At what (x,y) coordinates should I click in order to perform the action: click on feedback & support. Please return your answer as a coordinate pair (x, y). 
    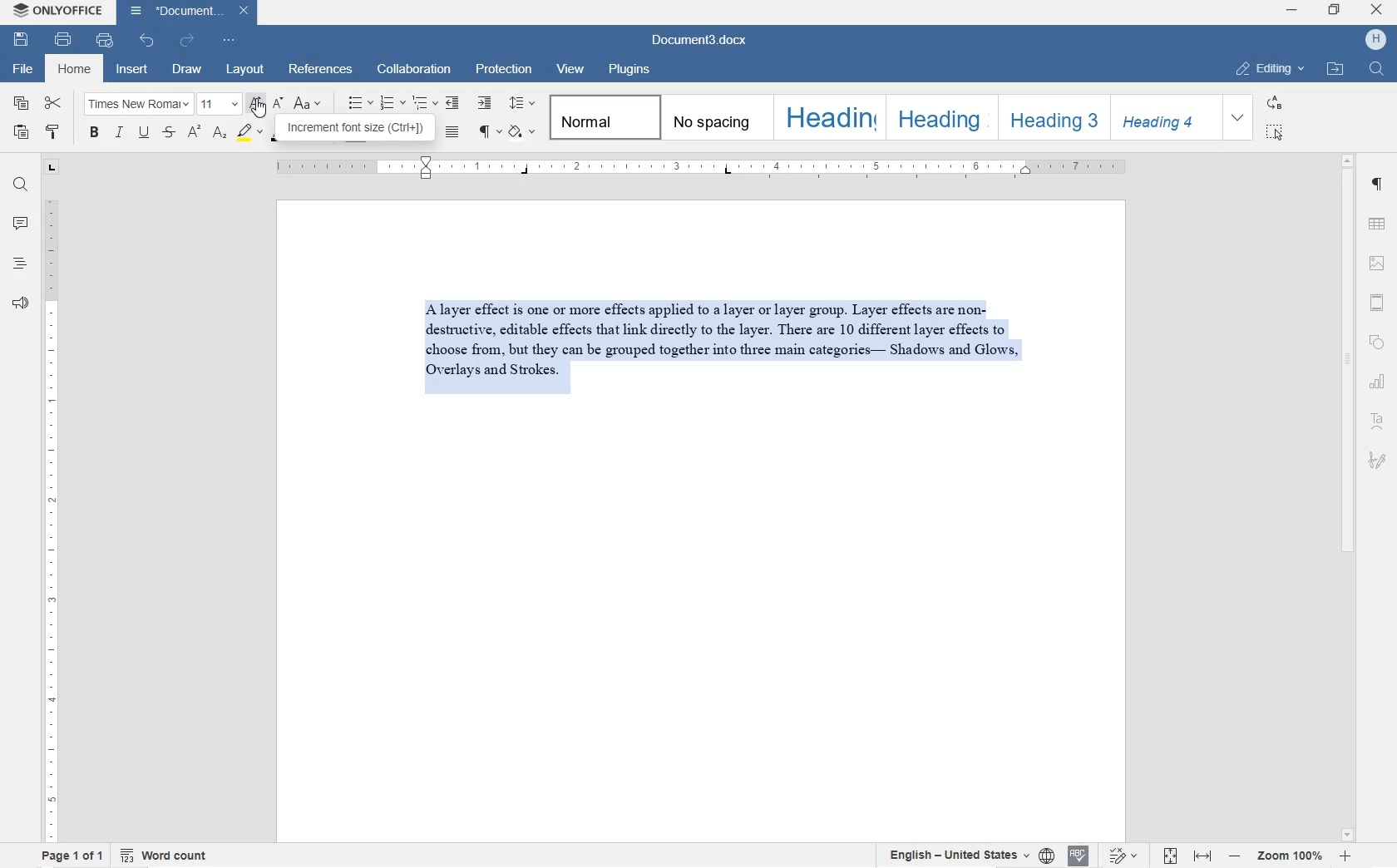
    Looking at the image, I should click on (22, 303).